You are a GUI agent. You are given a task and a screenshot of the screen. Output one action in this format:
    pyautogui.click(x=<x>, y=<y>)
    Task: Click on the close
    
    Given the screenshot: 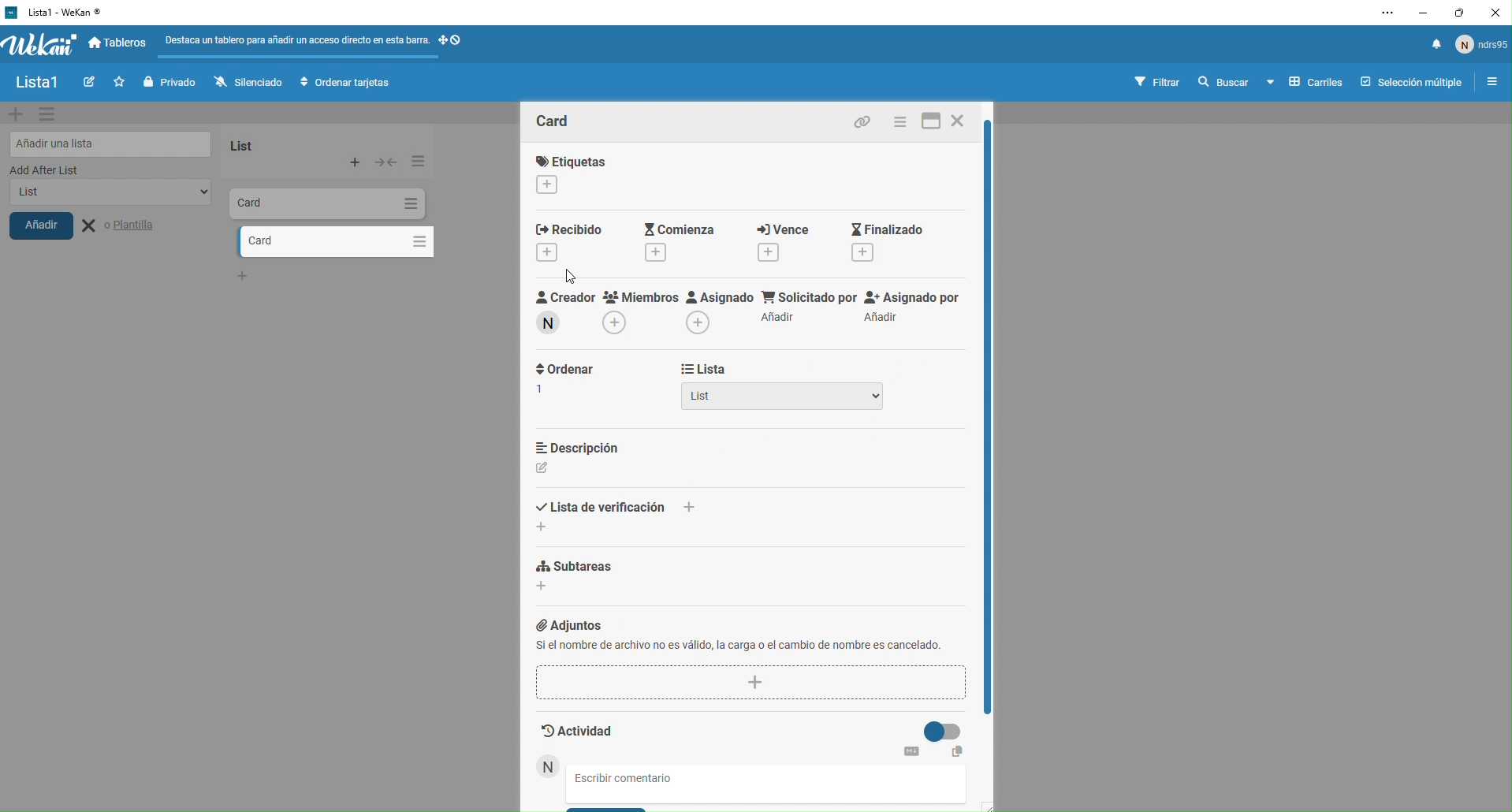 What is the action you would take?
    pyautogui.click(x=963, y=124)
    